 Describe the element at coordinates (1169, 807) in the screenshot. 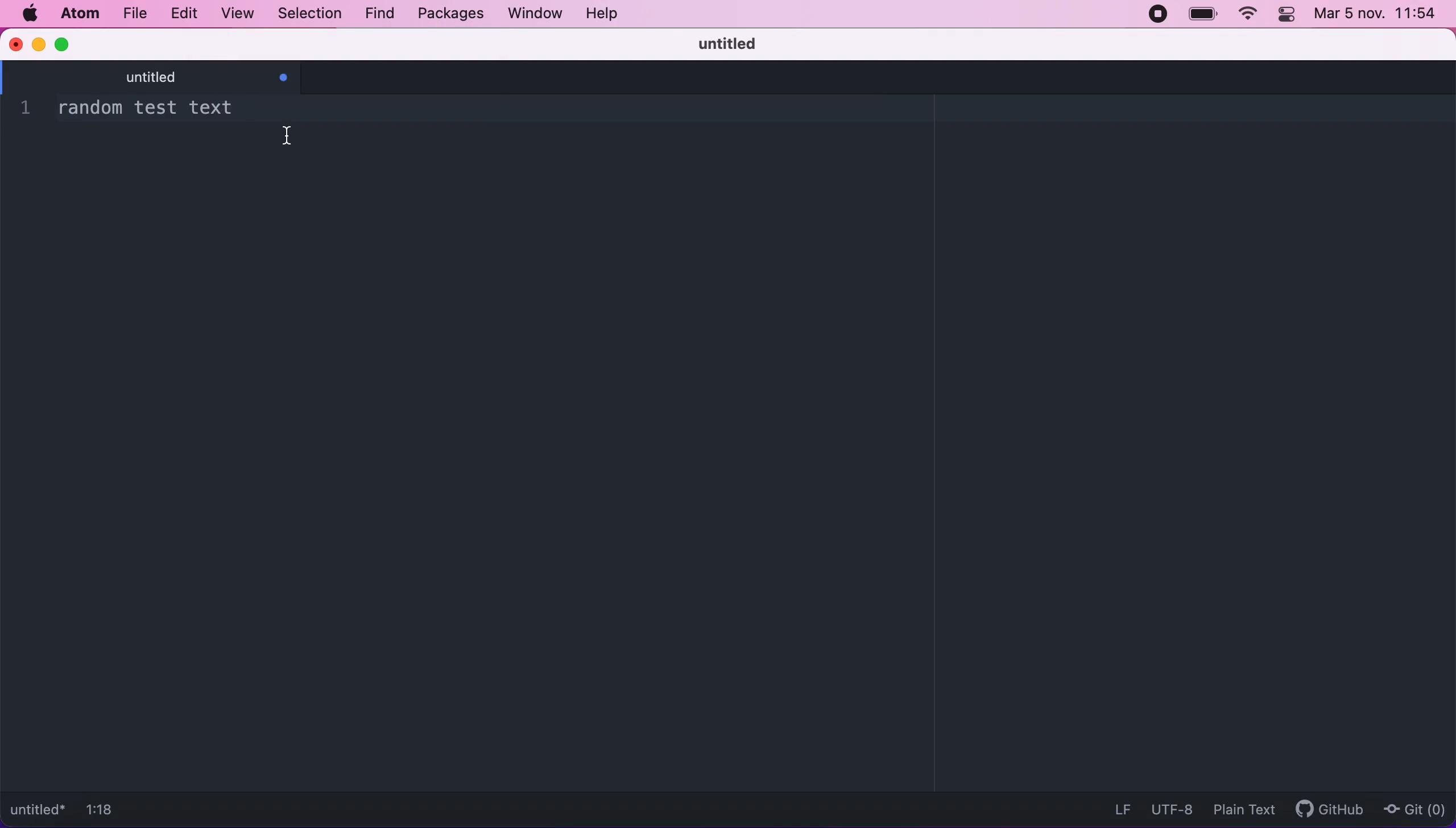

I see `UTF-8` at that location.